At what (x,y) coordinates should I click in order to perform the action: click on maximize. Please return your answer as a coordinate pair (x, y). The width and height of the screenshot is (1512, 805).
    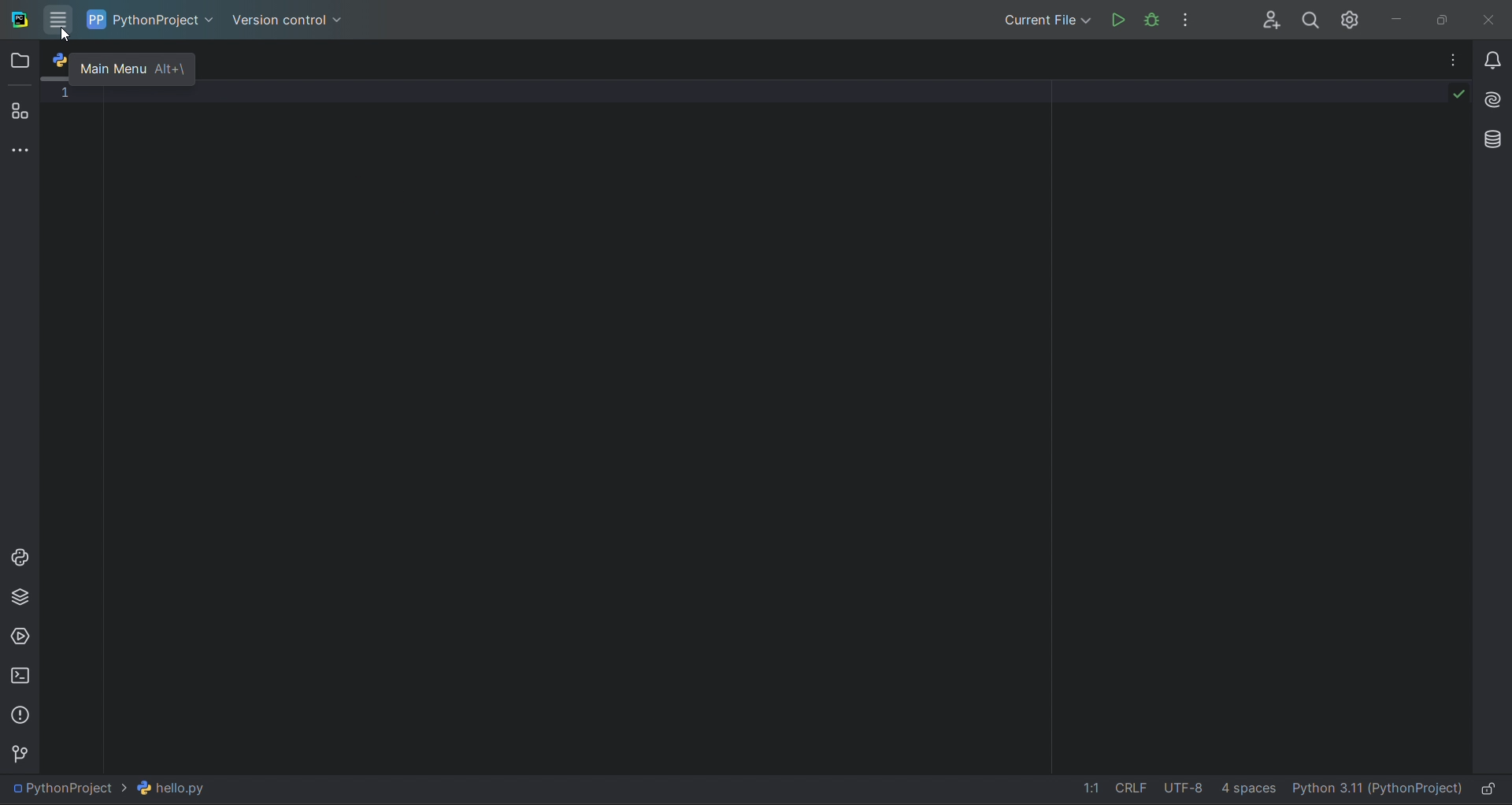
    Looking at the image, I should click on (1447, 18).